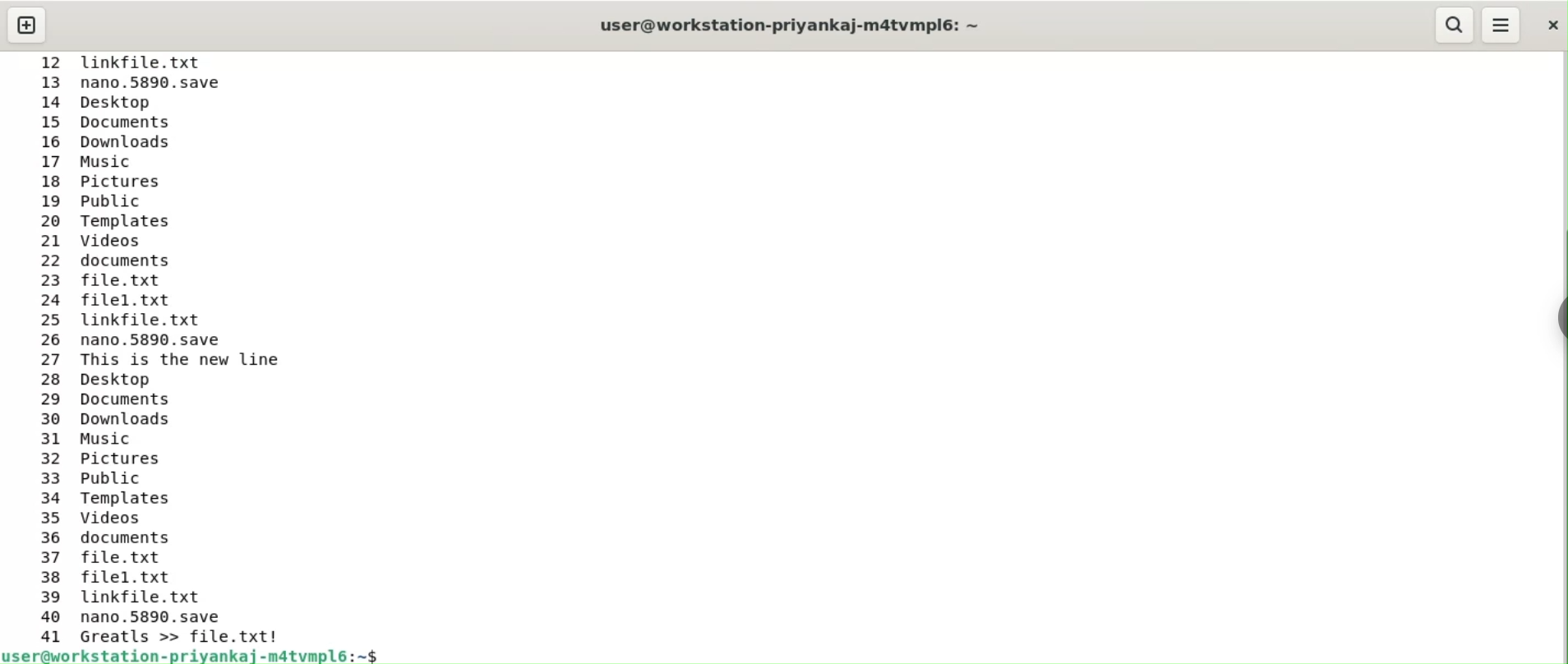  I want to click on close, so click(1547, 26).